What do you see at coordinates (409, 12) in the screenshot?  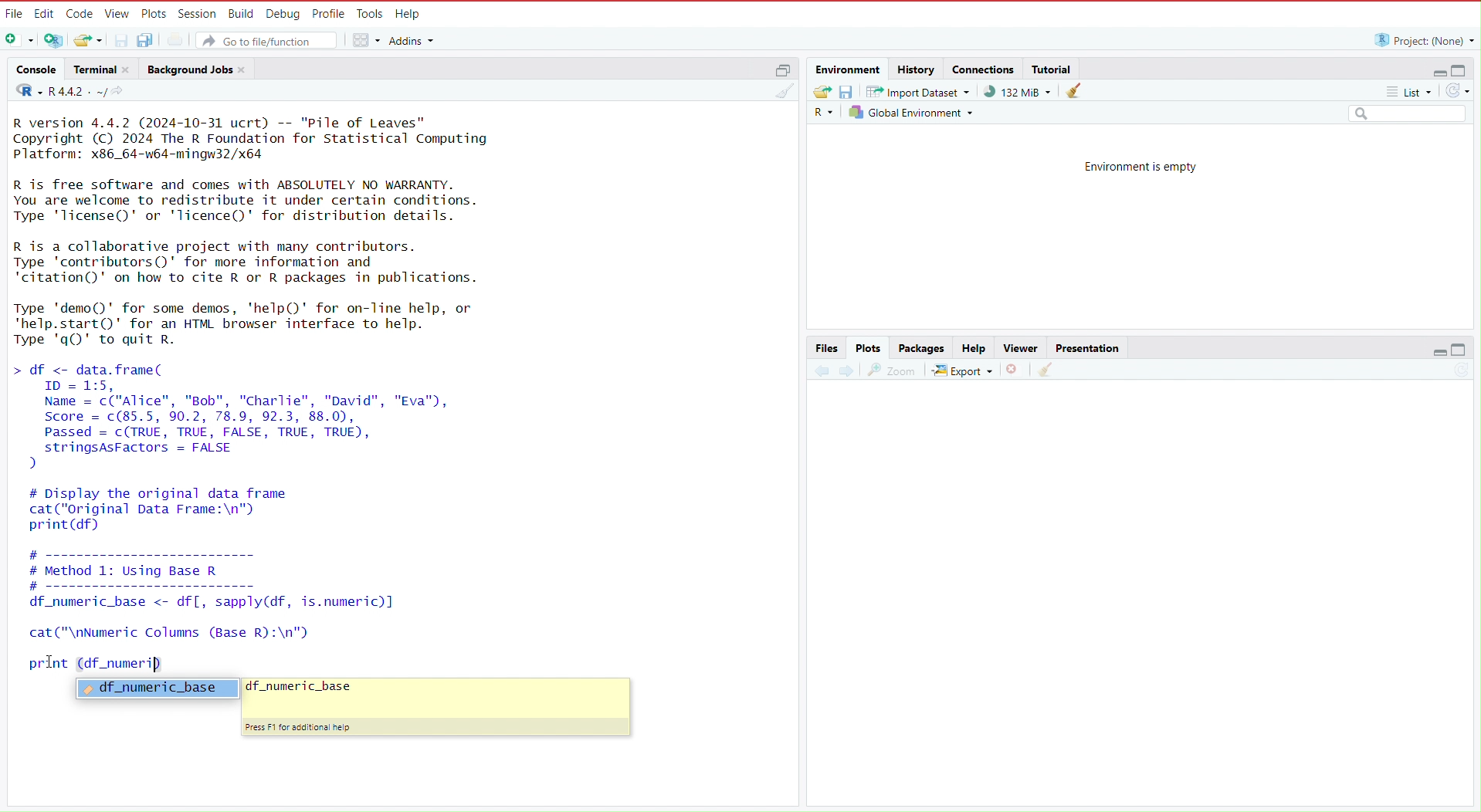 I see `Help` at bounding box center [409, 12].